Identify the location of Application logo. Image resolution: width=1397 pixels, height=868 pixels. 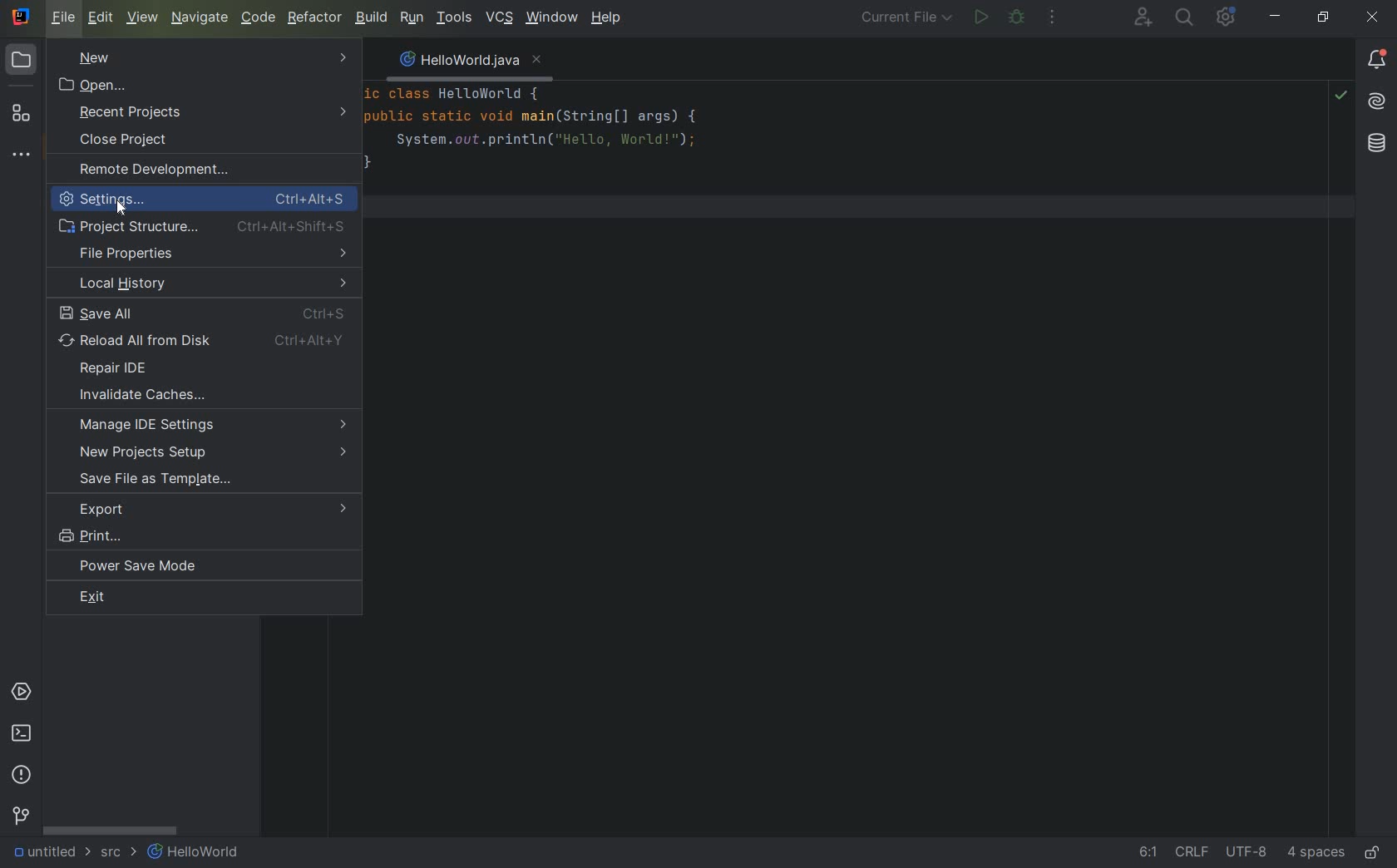
(22, 18).